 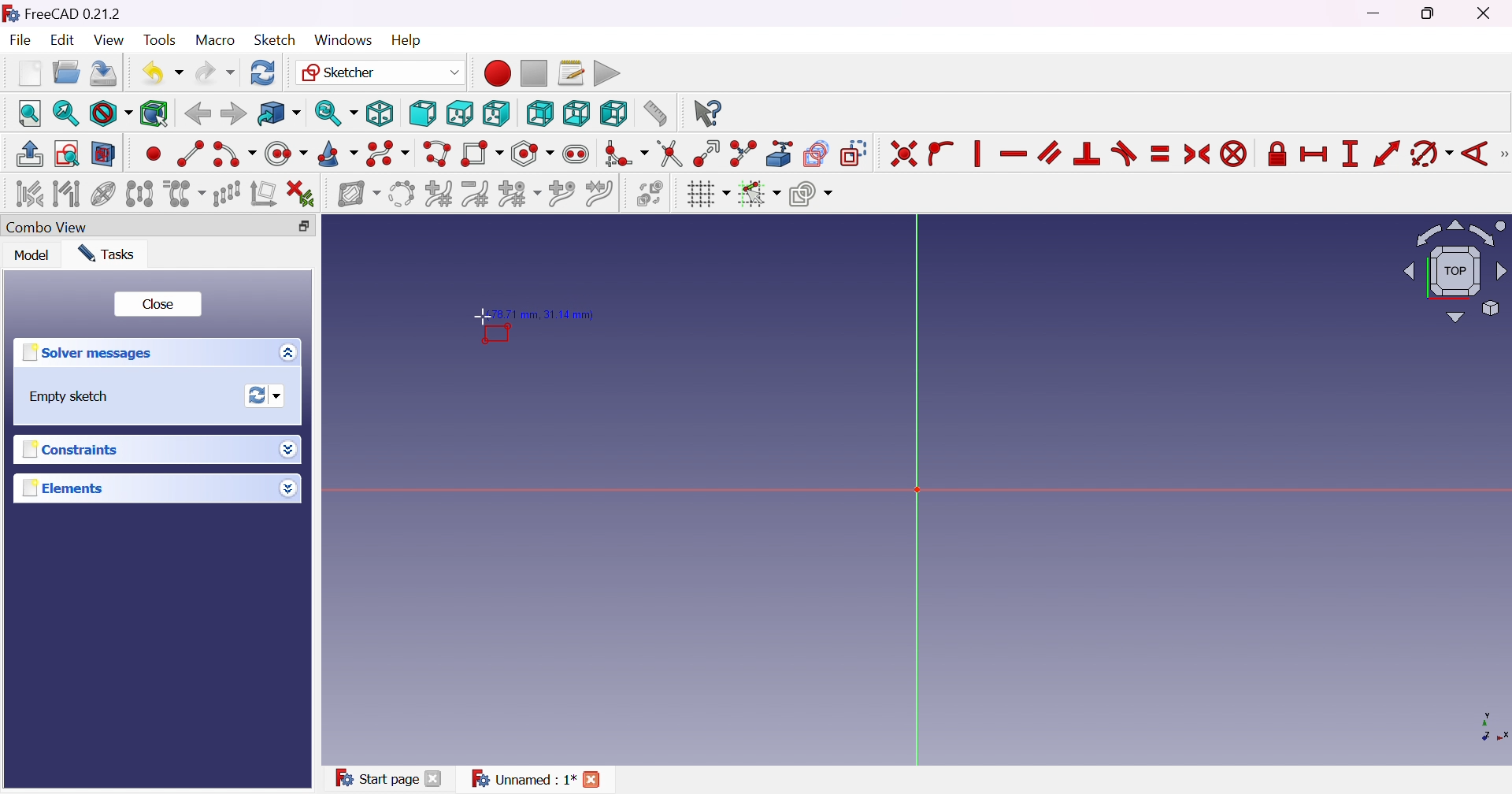 What do you see at coordinates (65, 397) in the screenshot?
I see `Empty sketch` at bounding box center [65, 397].